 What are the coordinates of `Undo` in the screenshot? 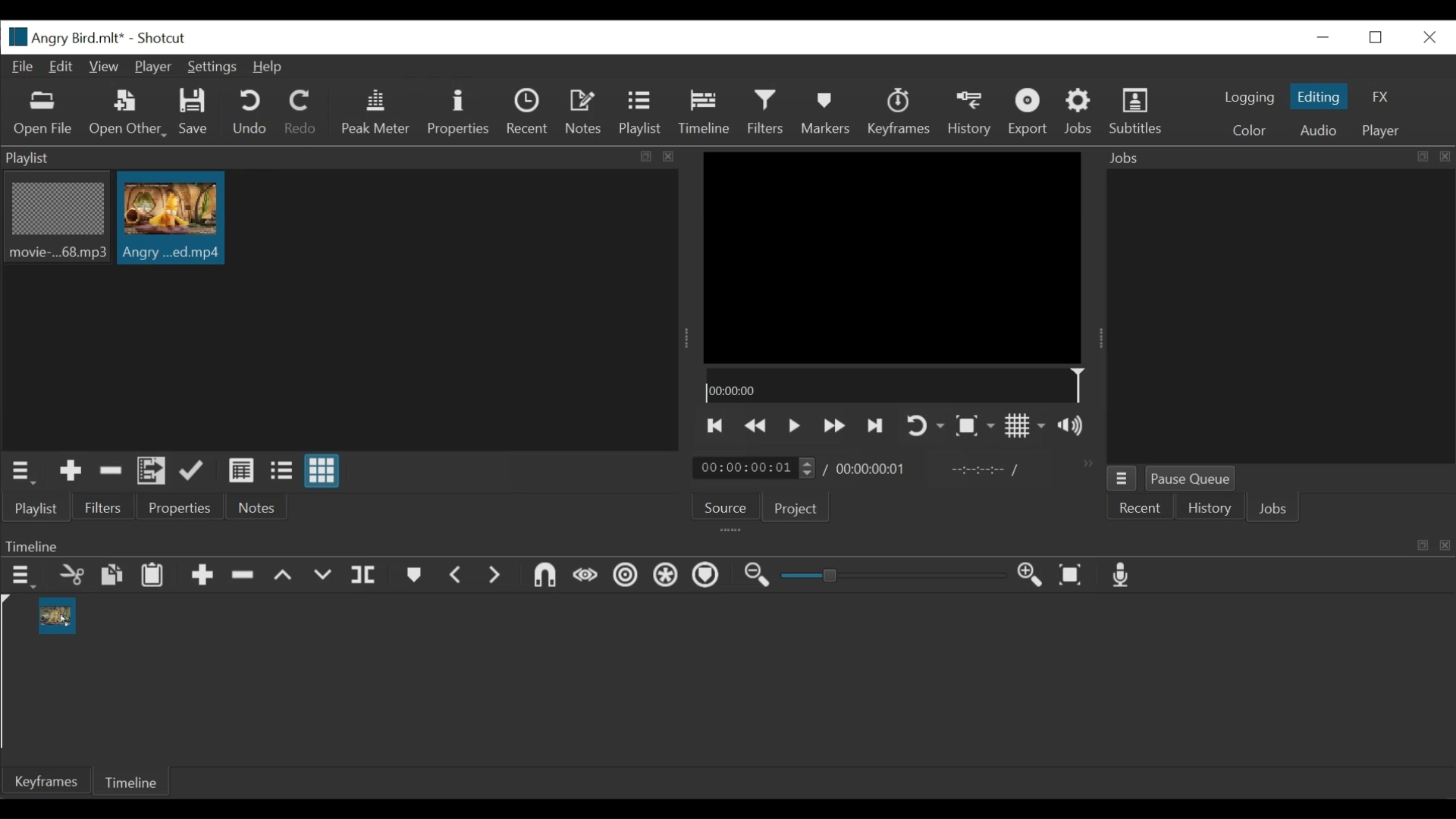 It's located at (249, 113).